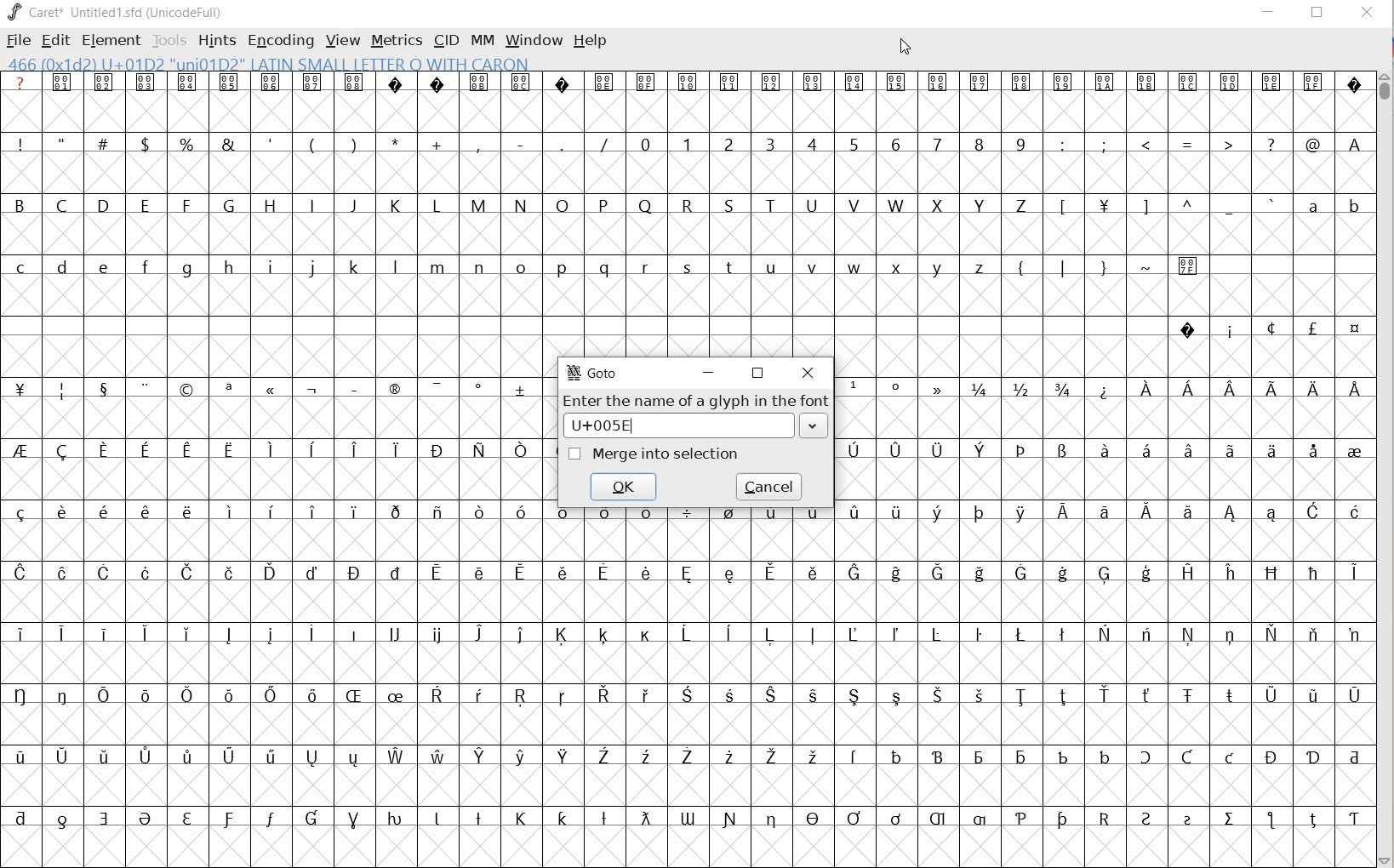 The image size is (1394, 868). I want to click on glyph characters, so click(1106, 440).